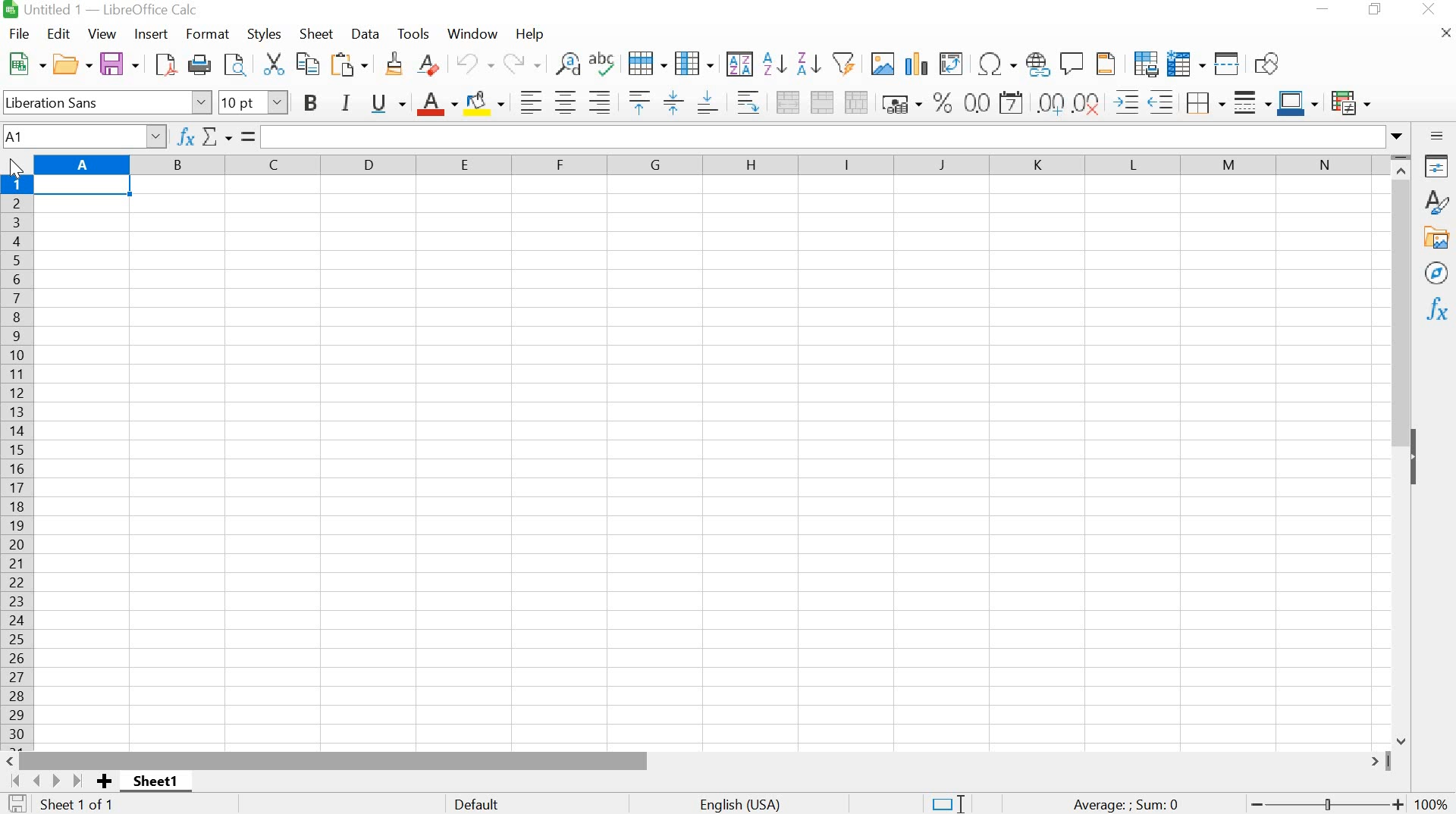 This screenshot has height=814, width=1456. Describe the element at coordinates (952, 797) in the screenshot. I see `Standard Selection` at that location.